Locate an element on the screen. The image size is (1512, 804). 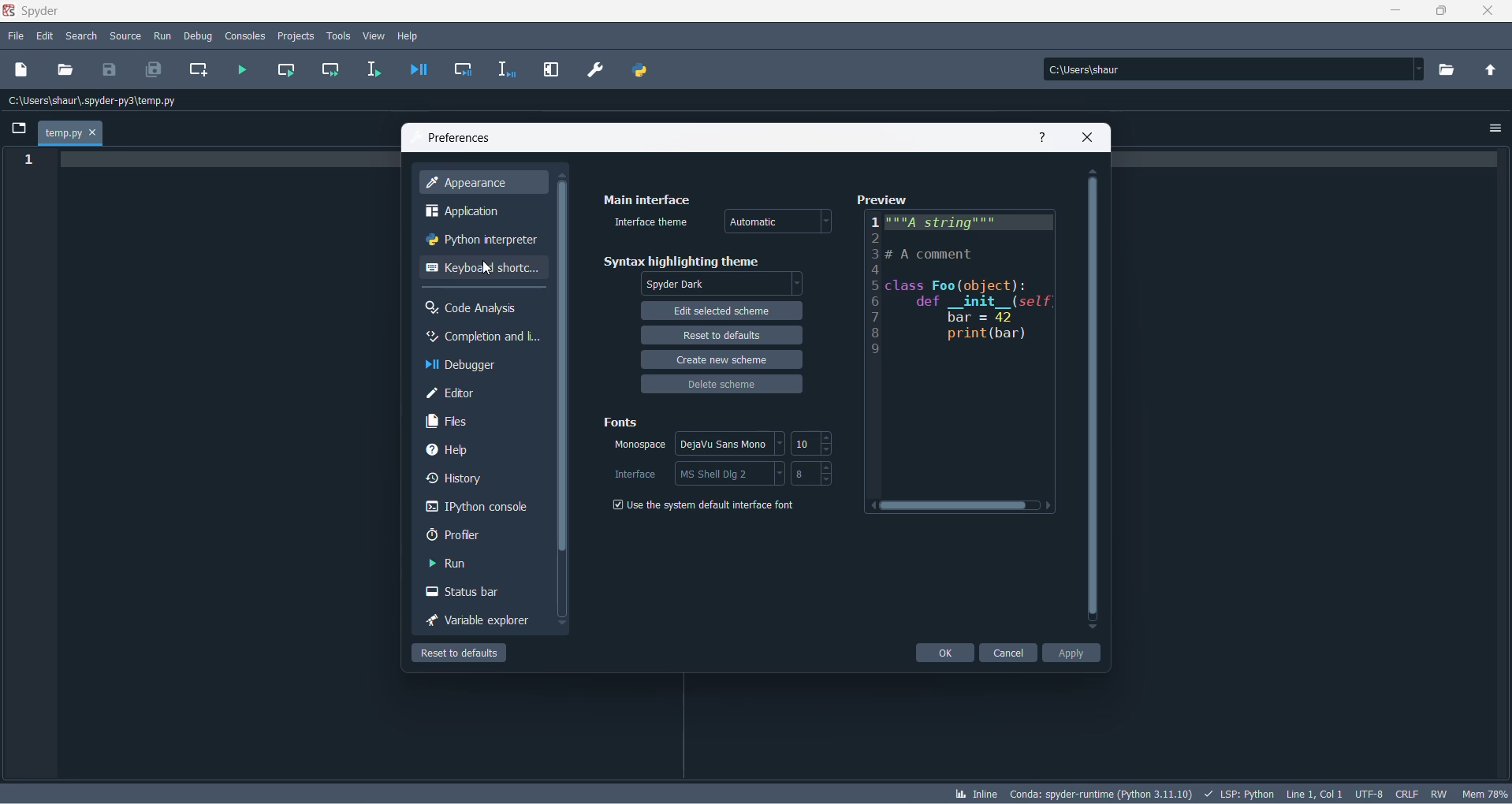
create new cell is located at coordinates (196, 70).